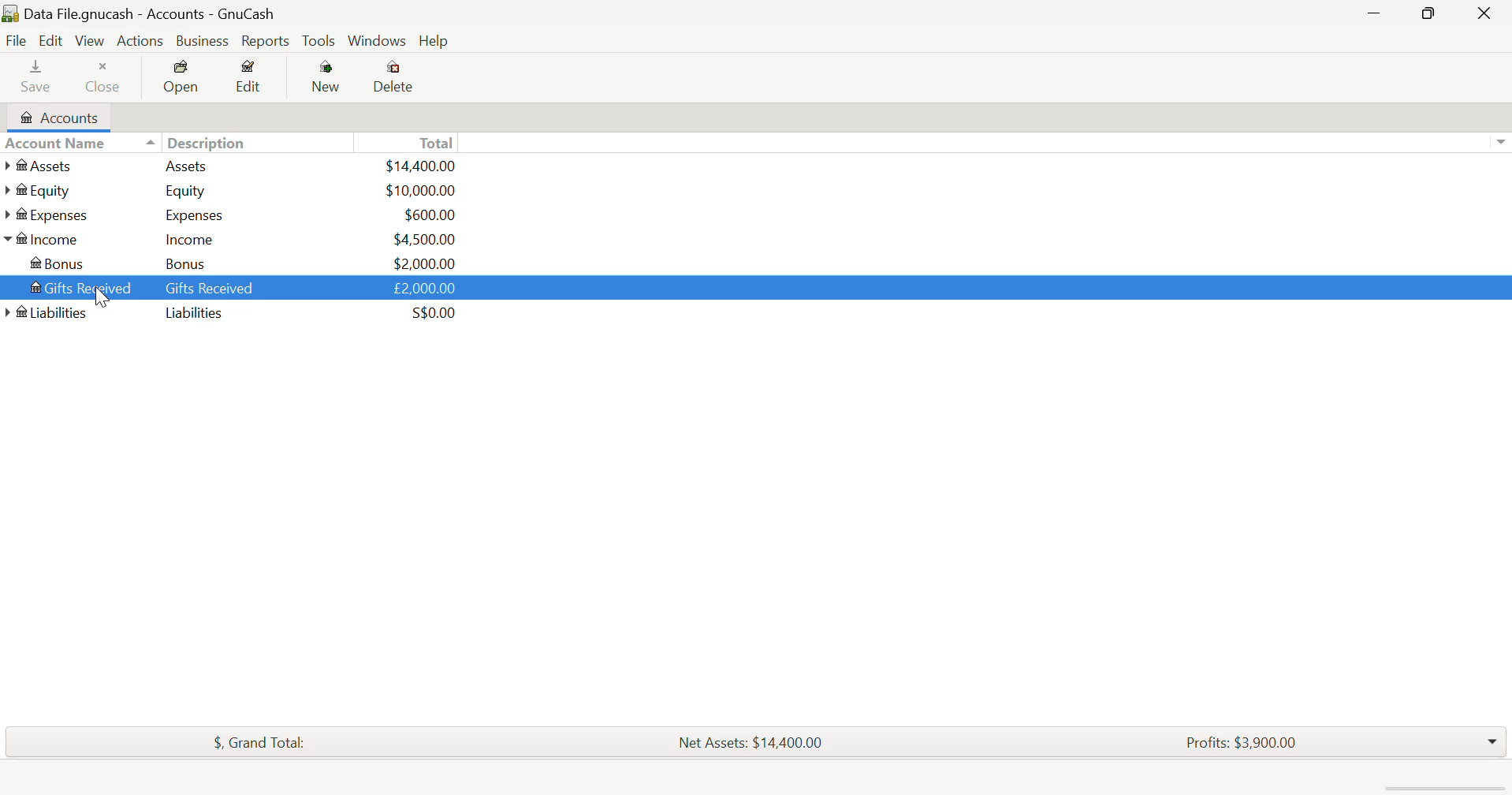 This screenshot has height=795, width=1512. What do you see at coordinates (191, 239) in the screenshot?
I see `Income` at bounding box center [191, 239].